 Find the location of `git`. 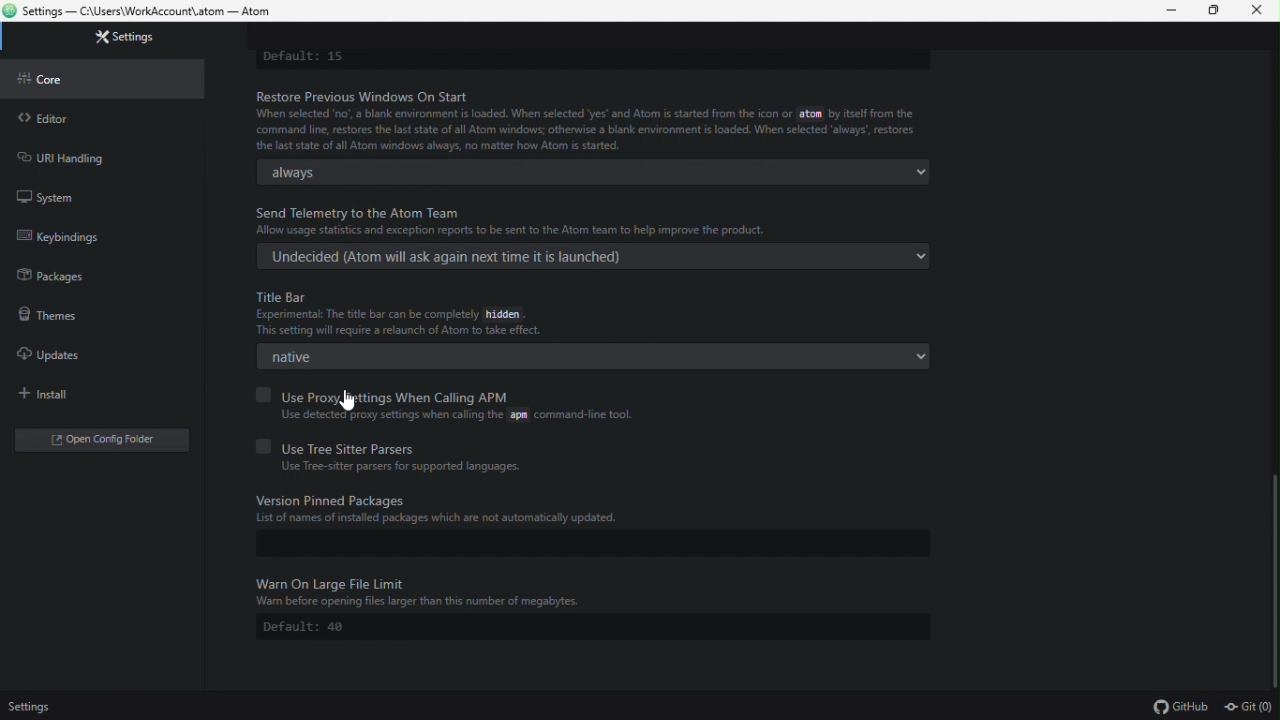

git is located at coordinates (1250, 709).